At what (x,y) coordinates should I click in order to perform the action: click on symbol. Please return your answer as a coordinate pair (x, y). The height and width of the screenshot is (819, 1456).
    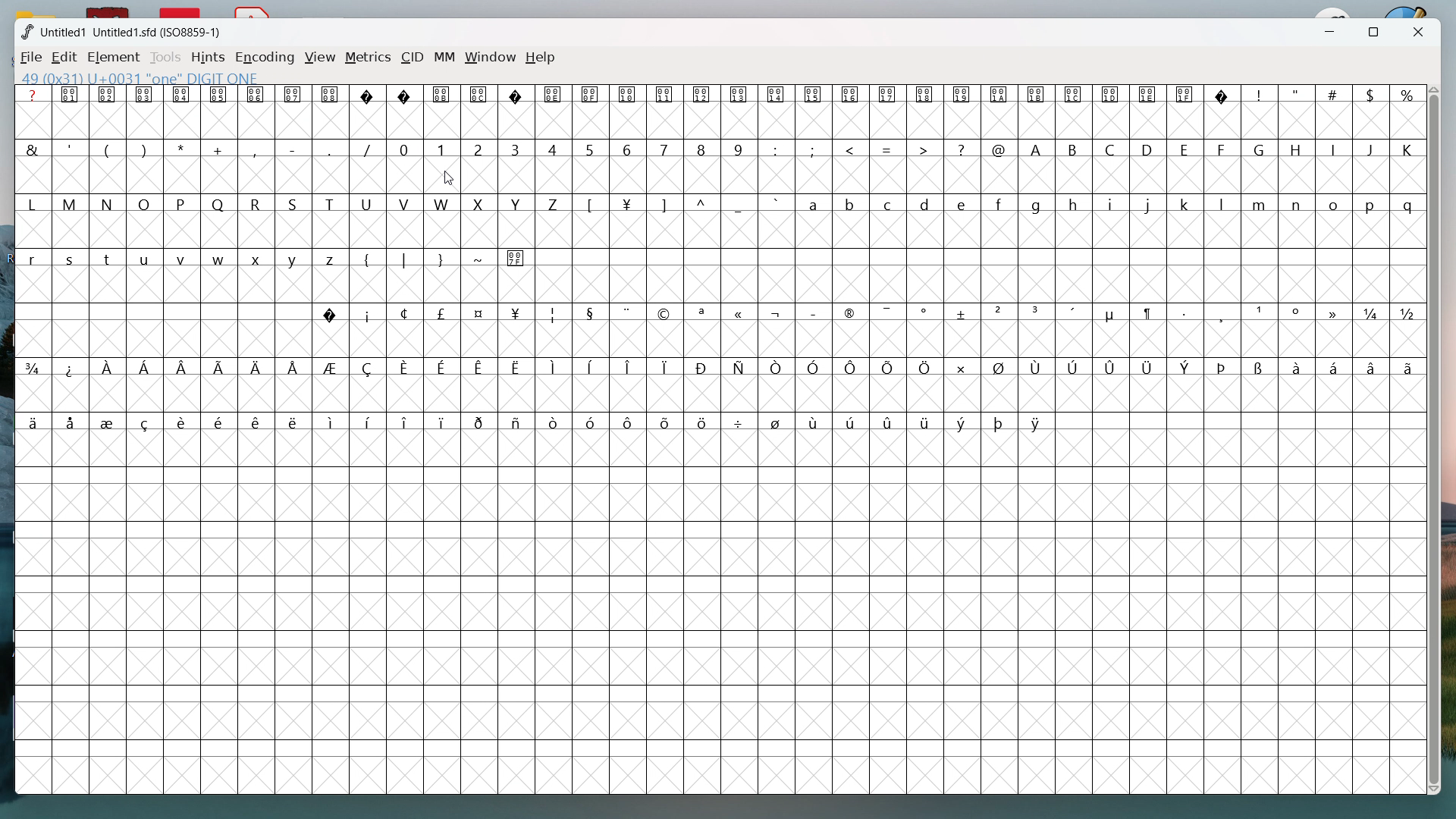
    Looking at the image, I should click on (481, 93).